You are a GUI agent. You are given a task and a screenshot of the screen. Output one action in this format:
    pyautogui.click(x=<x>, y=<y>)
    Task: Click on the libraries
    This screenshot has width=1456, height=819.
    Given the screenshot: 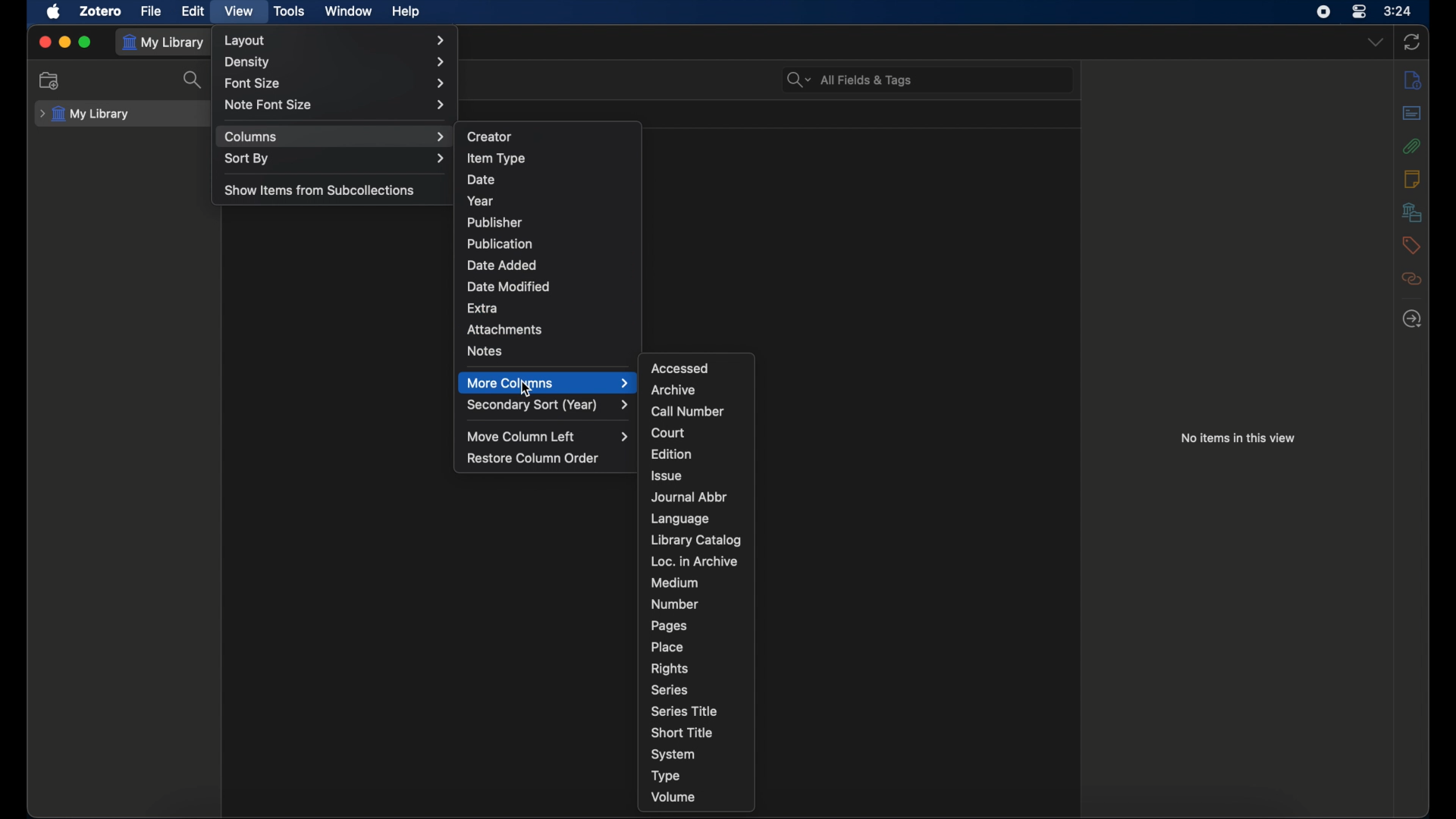 What is the action you would take?
    pyautogui.click(x=1411, y=212)
    